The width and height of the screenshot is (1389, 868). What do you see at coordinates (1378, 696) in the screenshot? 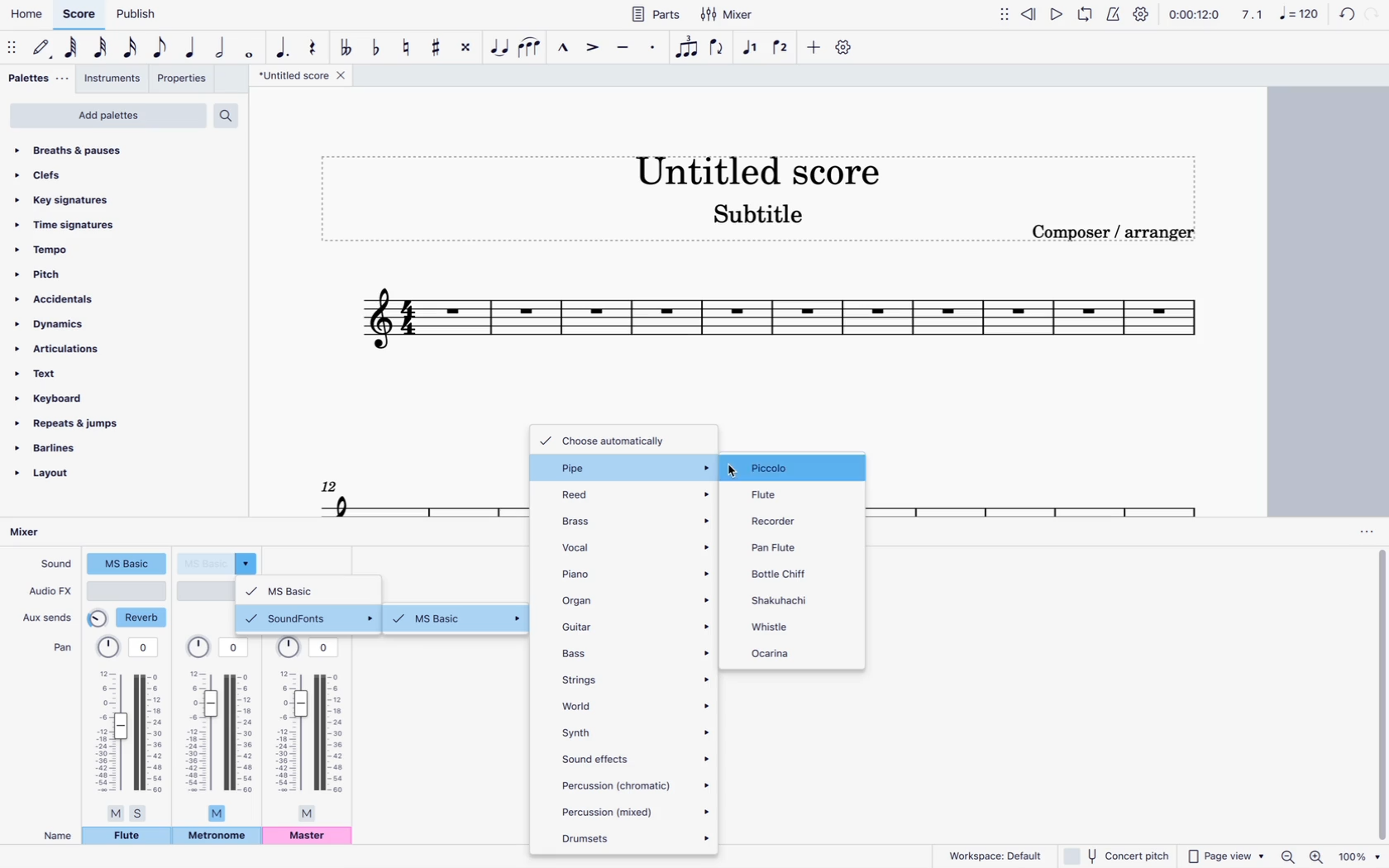
I see `vertical scrollbar` at bounding box center [1378, 696].